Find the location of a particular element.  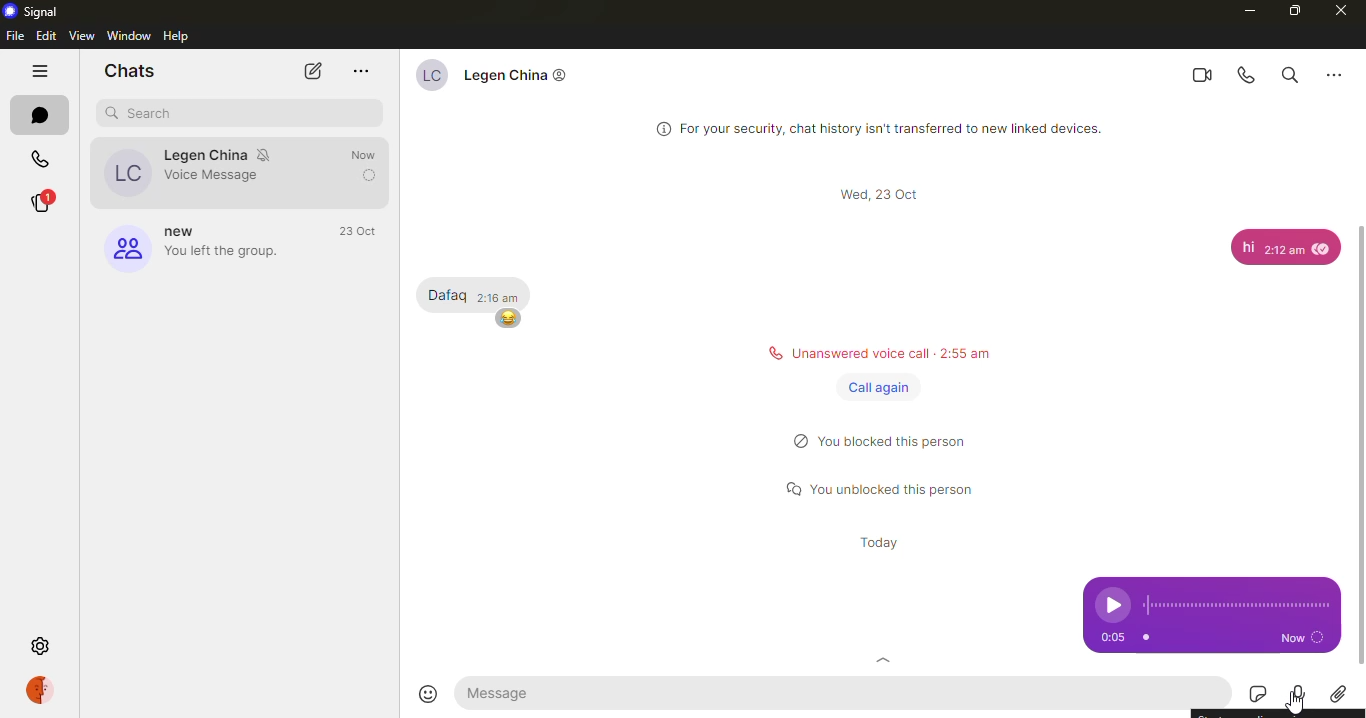

time is located at coordinates (1110, 638).